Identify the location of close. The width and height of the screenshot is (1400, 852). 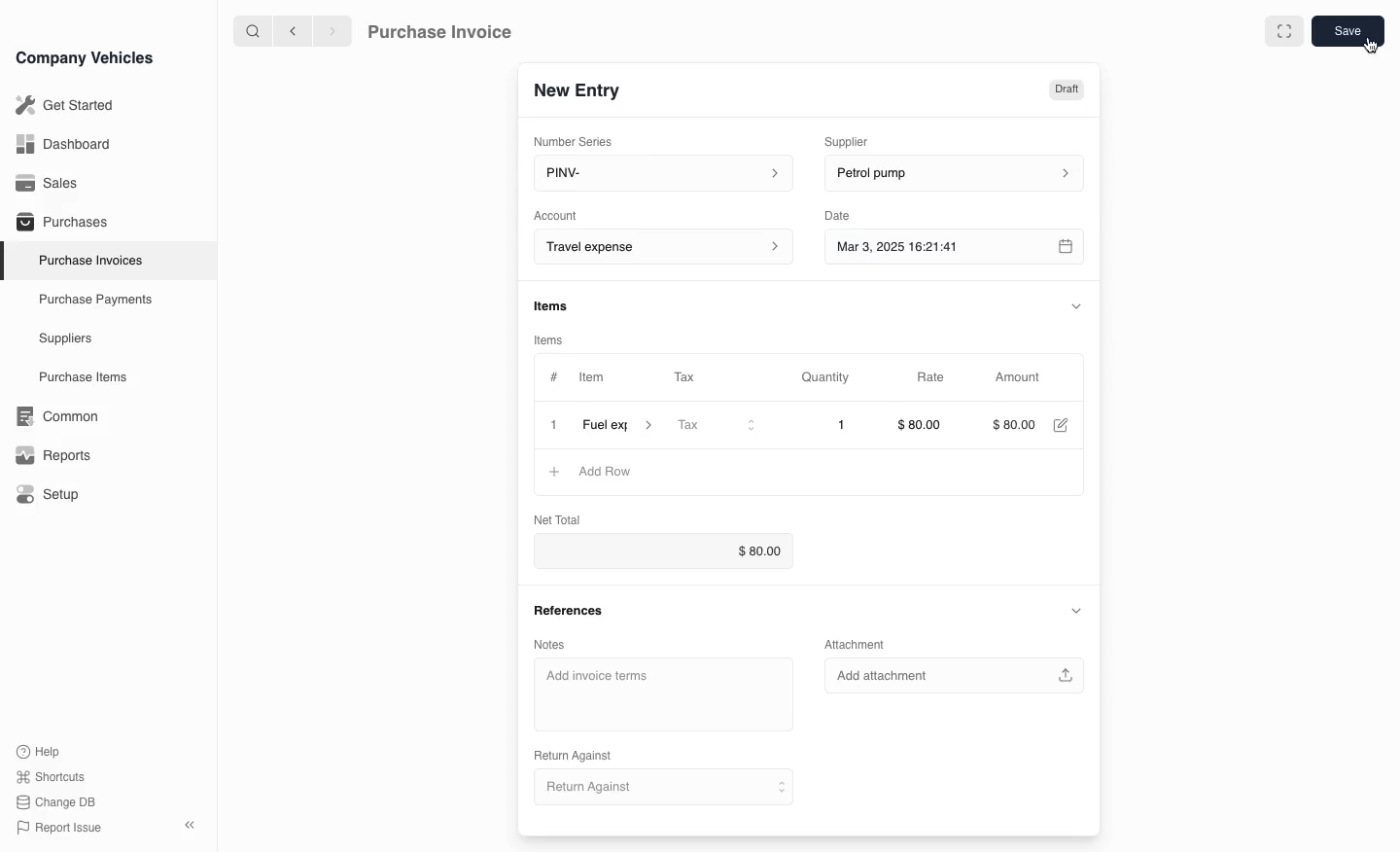
(553, 427).